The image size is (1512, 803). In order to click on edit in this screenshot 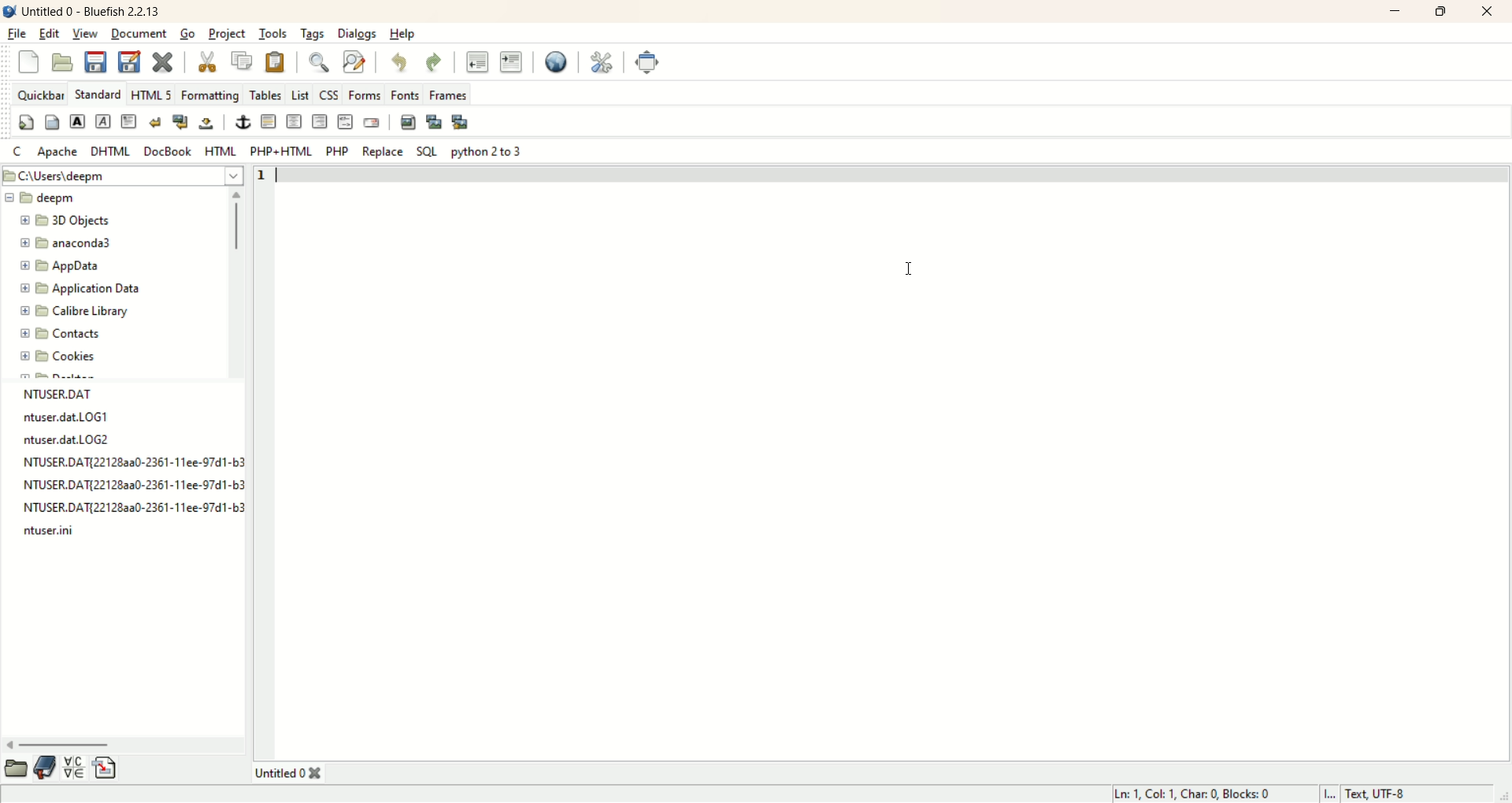, I will do `click(51, 33)`.